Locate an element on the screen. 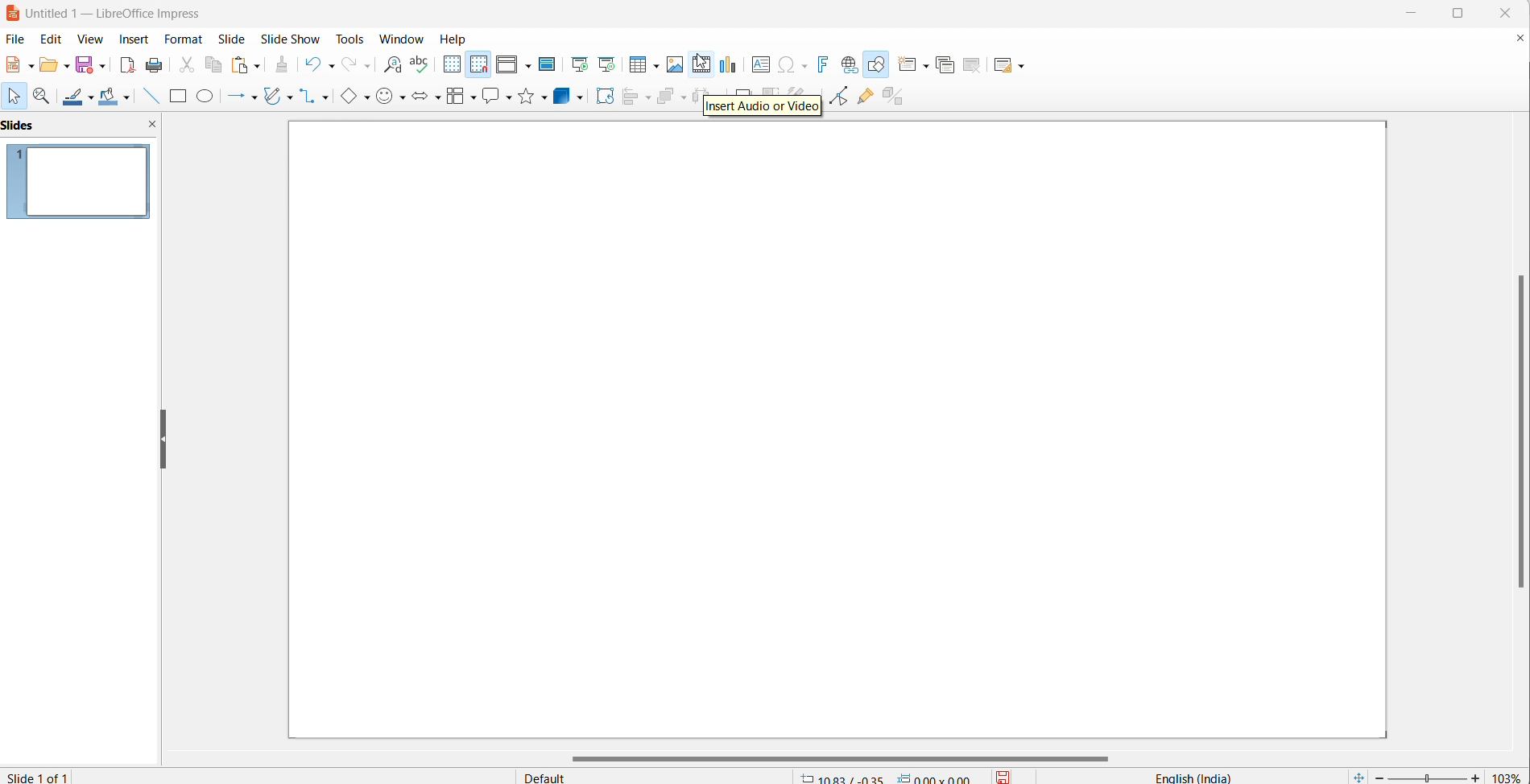  insert text is located at coordinates (758, 67).